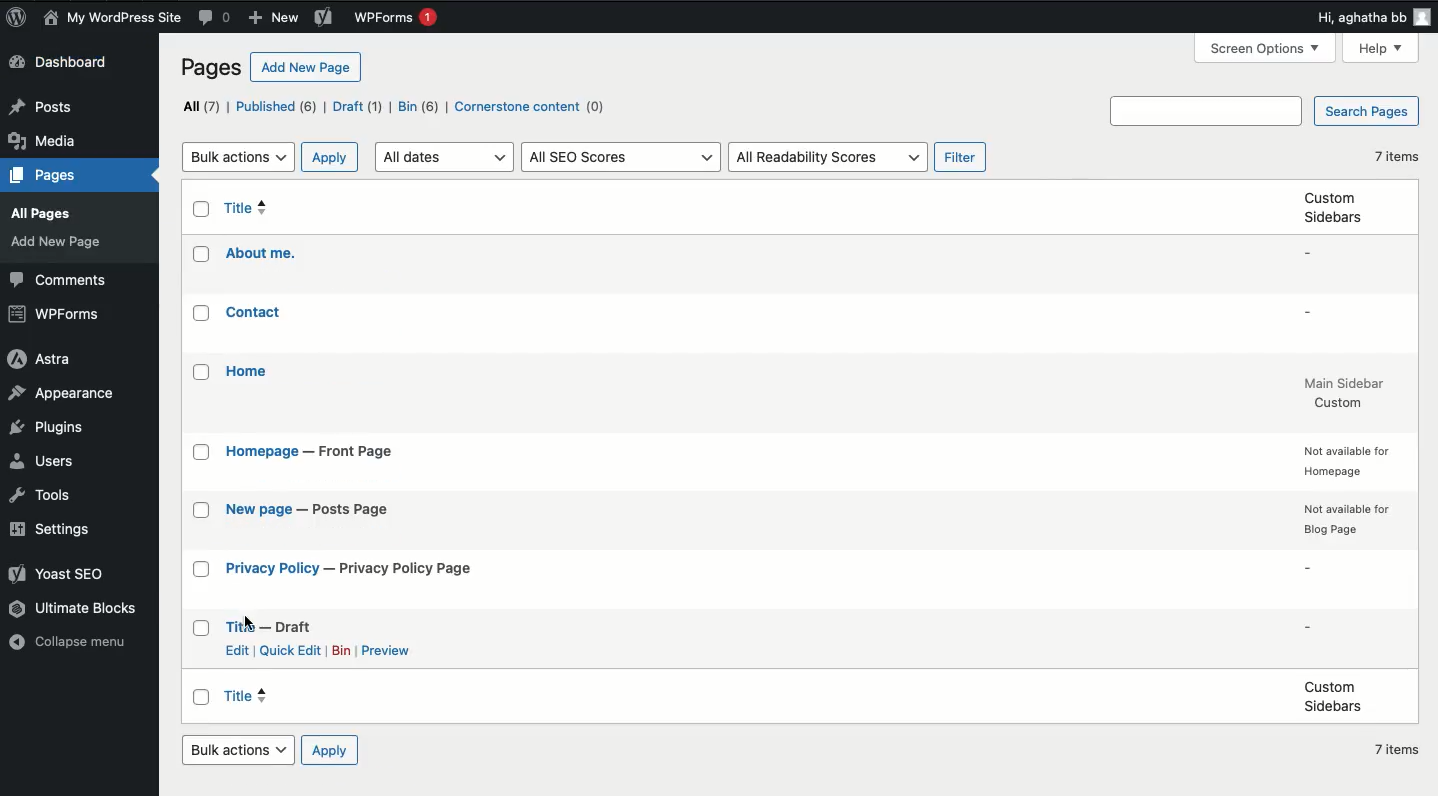  I want to click on Collapse menu, so click(75, 644).